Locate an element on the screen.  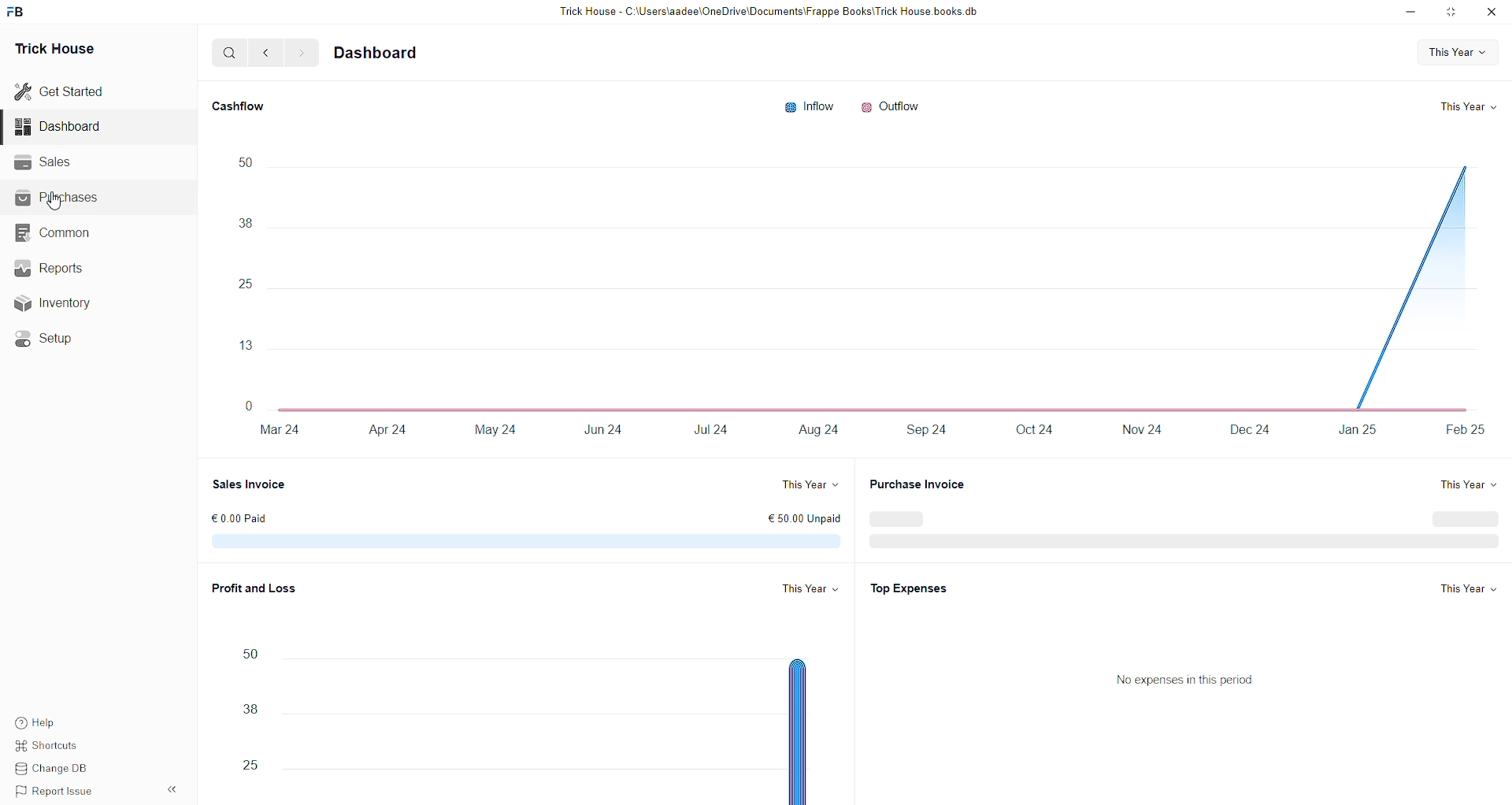
13 is located at coordinates (245, 346).